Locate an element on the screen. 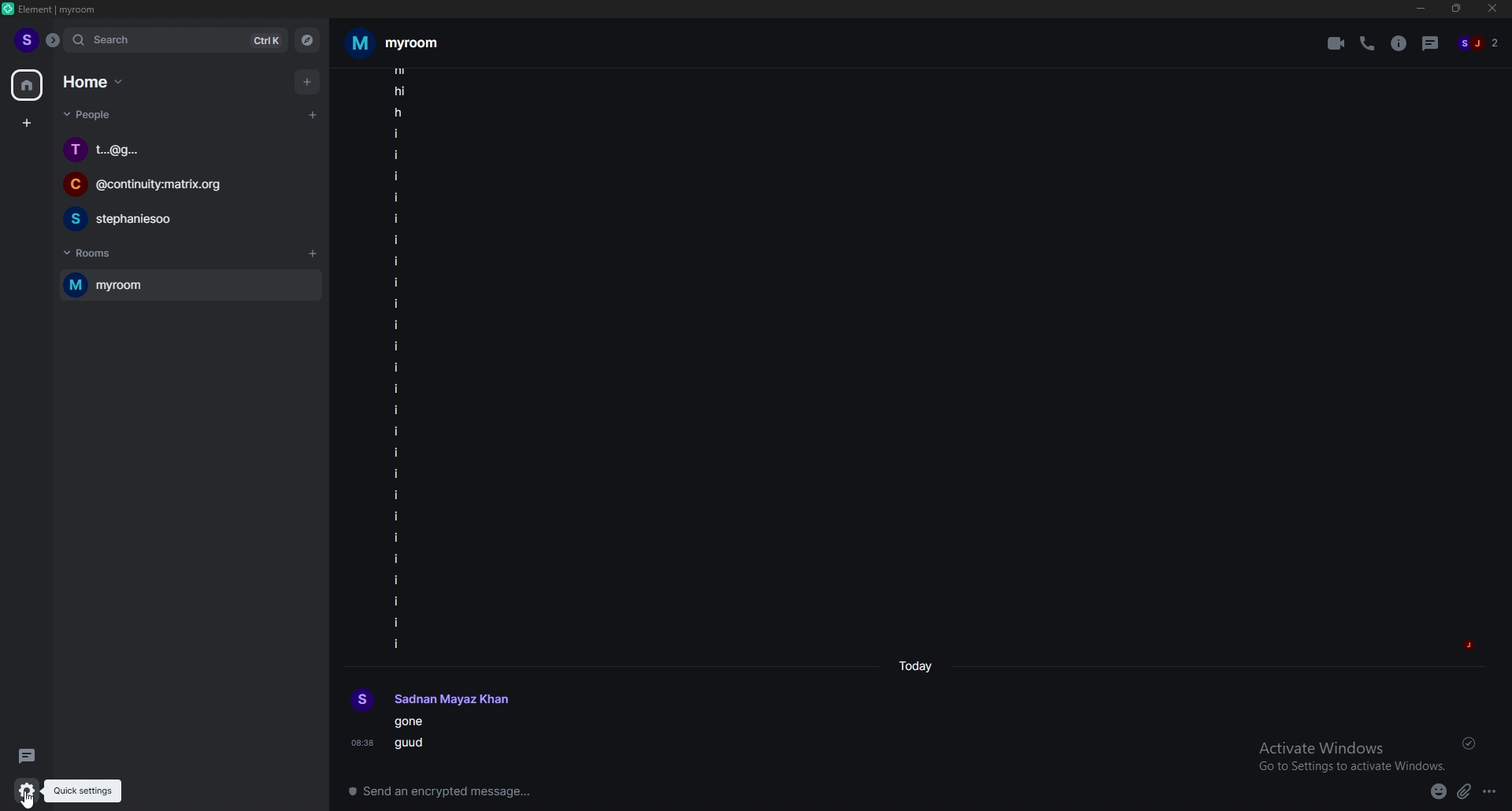  chat is located at coordinates (188, 149).